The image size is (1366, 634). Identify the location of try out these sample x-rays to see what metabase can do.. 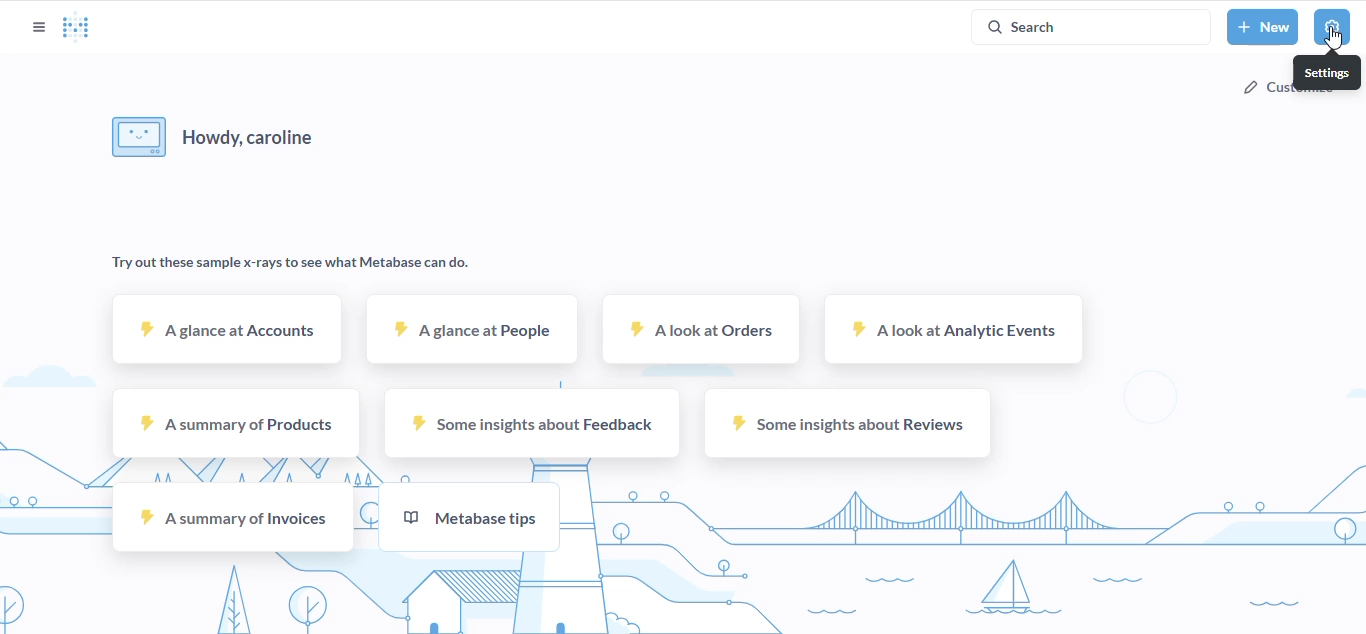
(290, 263).